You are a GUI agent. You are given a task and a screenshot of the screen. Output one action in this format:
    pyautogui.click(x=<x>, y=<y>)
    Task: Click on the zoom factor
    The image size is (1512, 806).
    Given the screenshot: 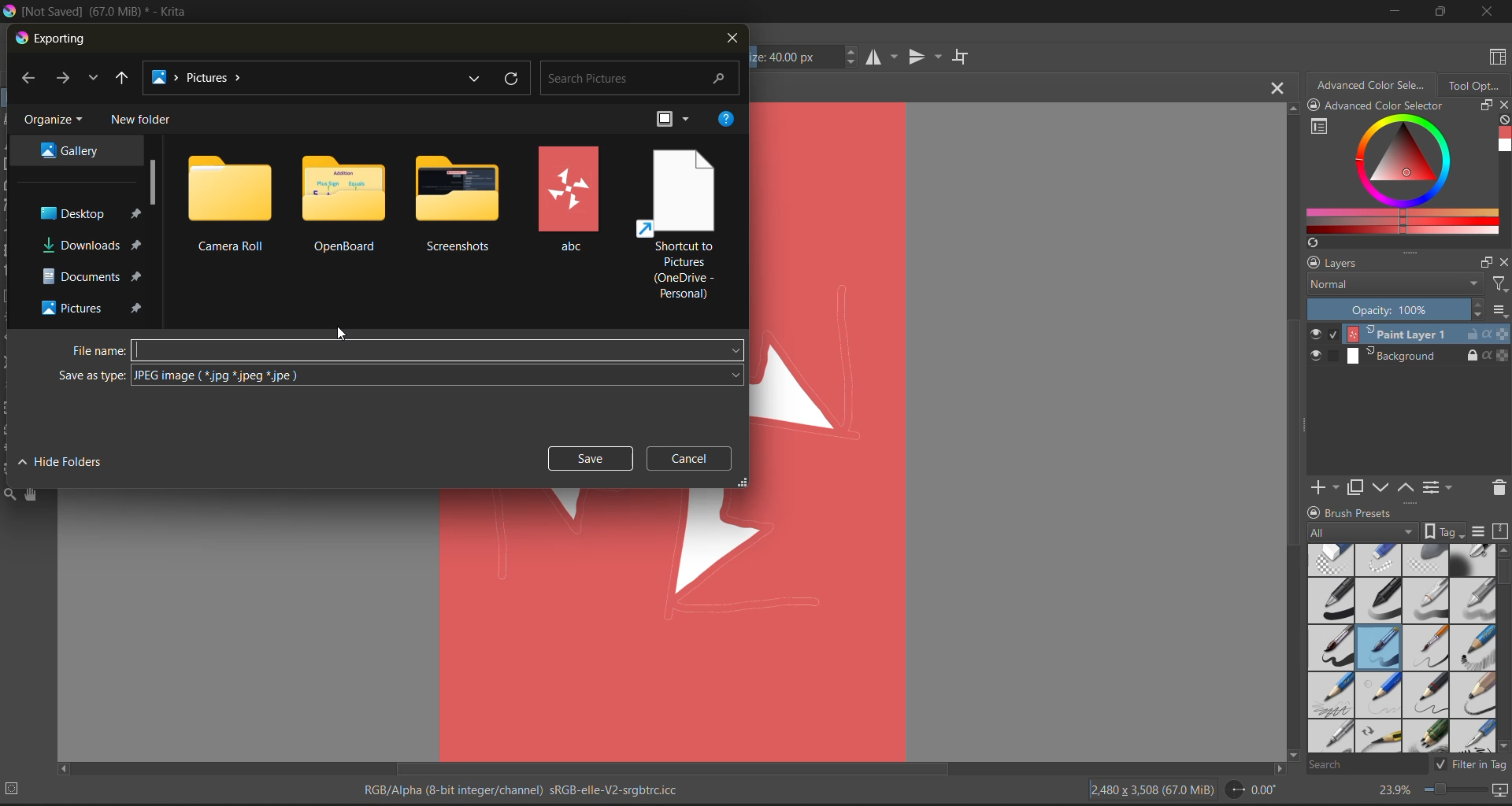 What is the action you would take?
    pyautogui.click(x=1396, y=790)
    